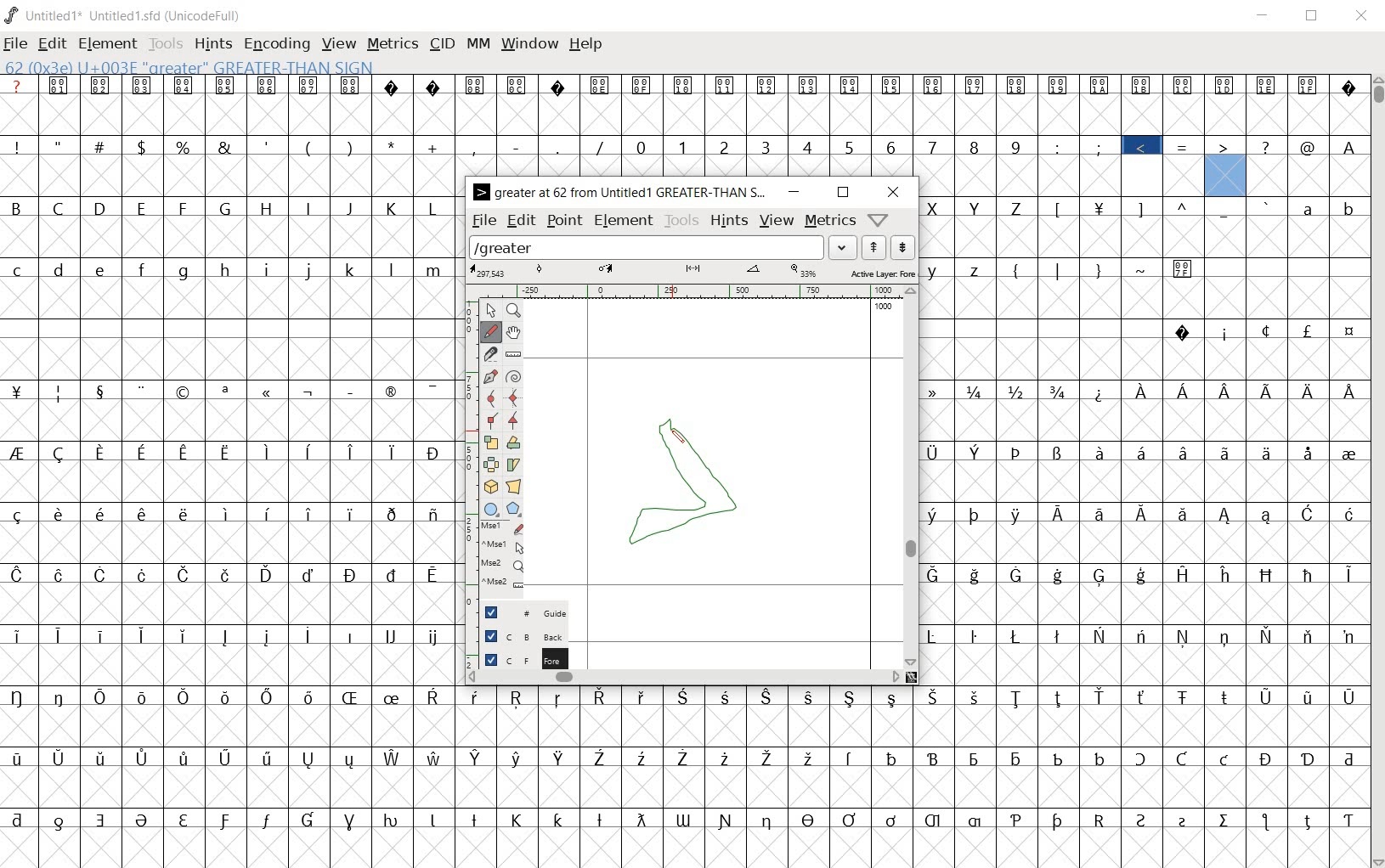 The image size is (1385, 868). Describe the element at coordinates (517, 397) in the screenshot. I see `add a curve point always either horizontal or vertical` at that location.